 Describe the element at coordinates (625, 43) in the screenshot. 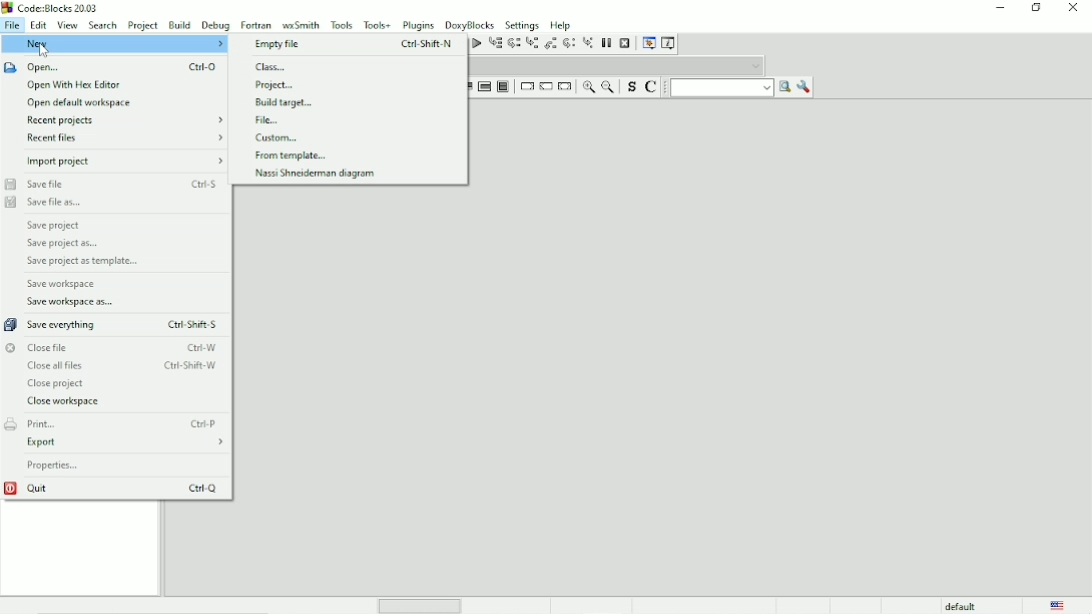

I see `Stop debugger` at that location.